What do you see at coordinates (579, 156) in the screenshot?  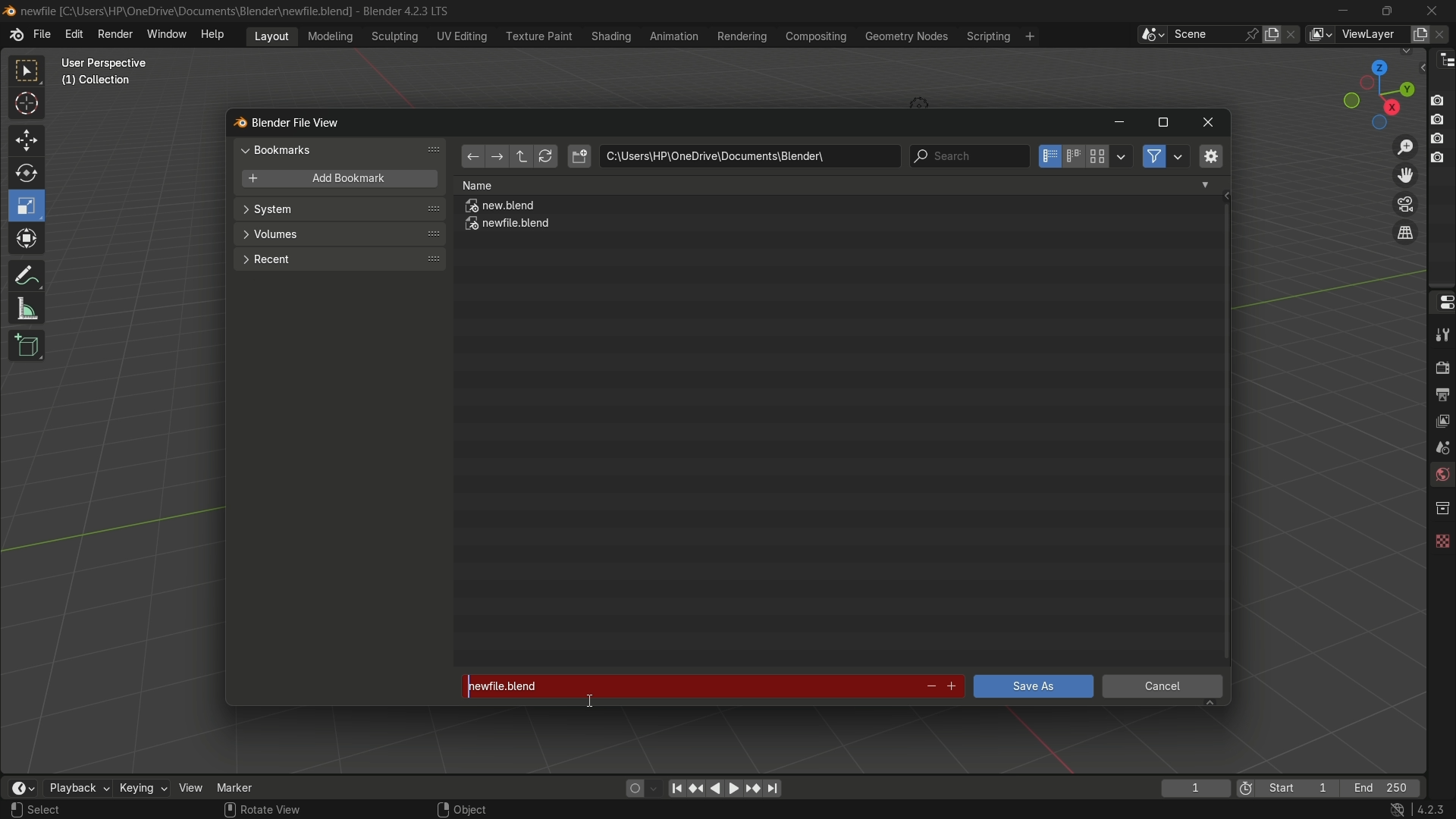 I see `new directory` at bounding box center [579, 156].